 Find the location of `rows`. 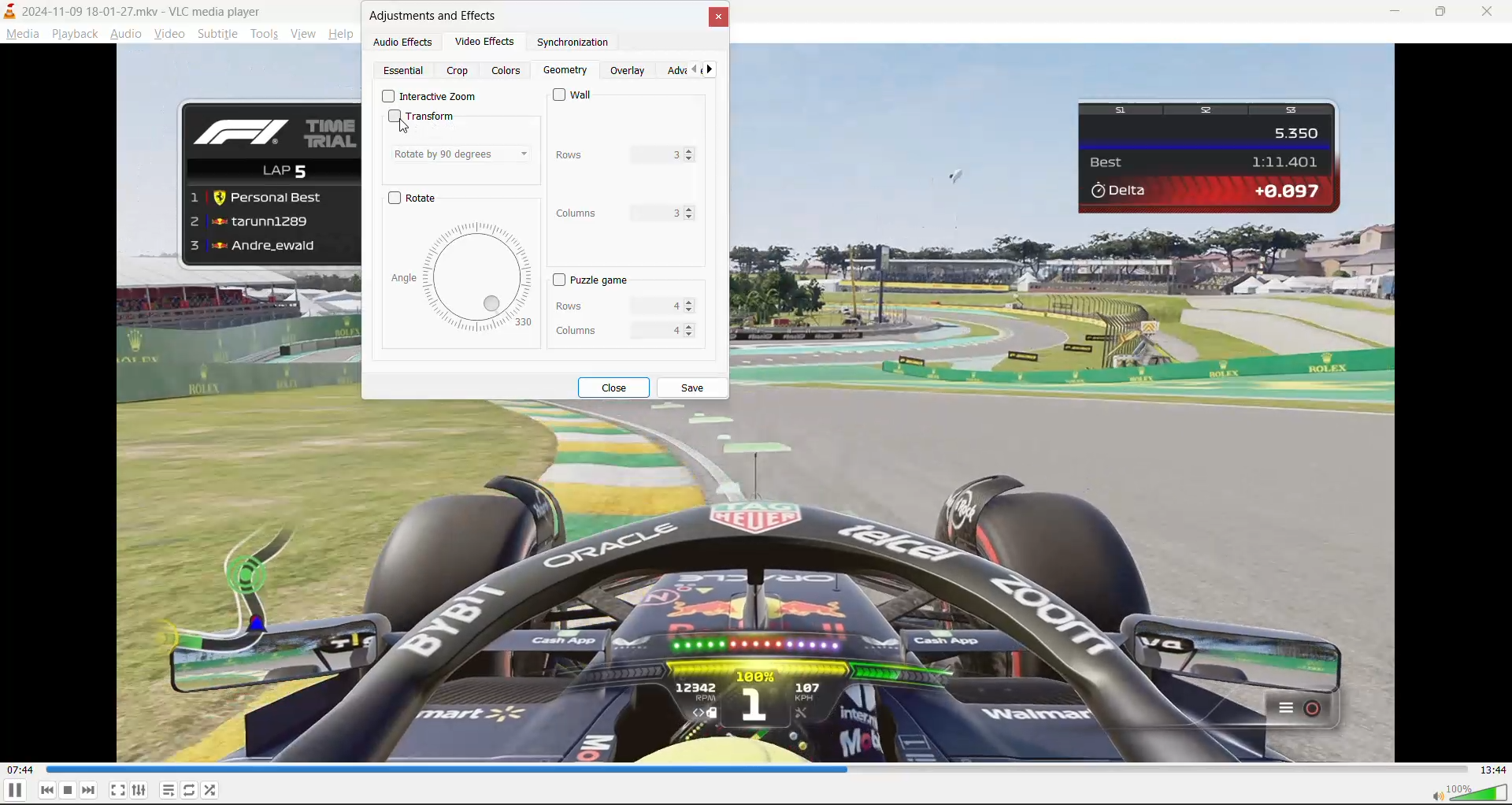

rows is located at coordinates (616, 156).